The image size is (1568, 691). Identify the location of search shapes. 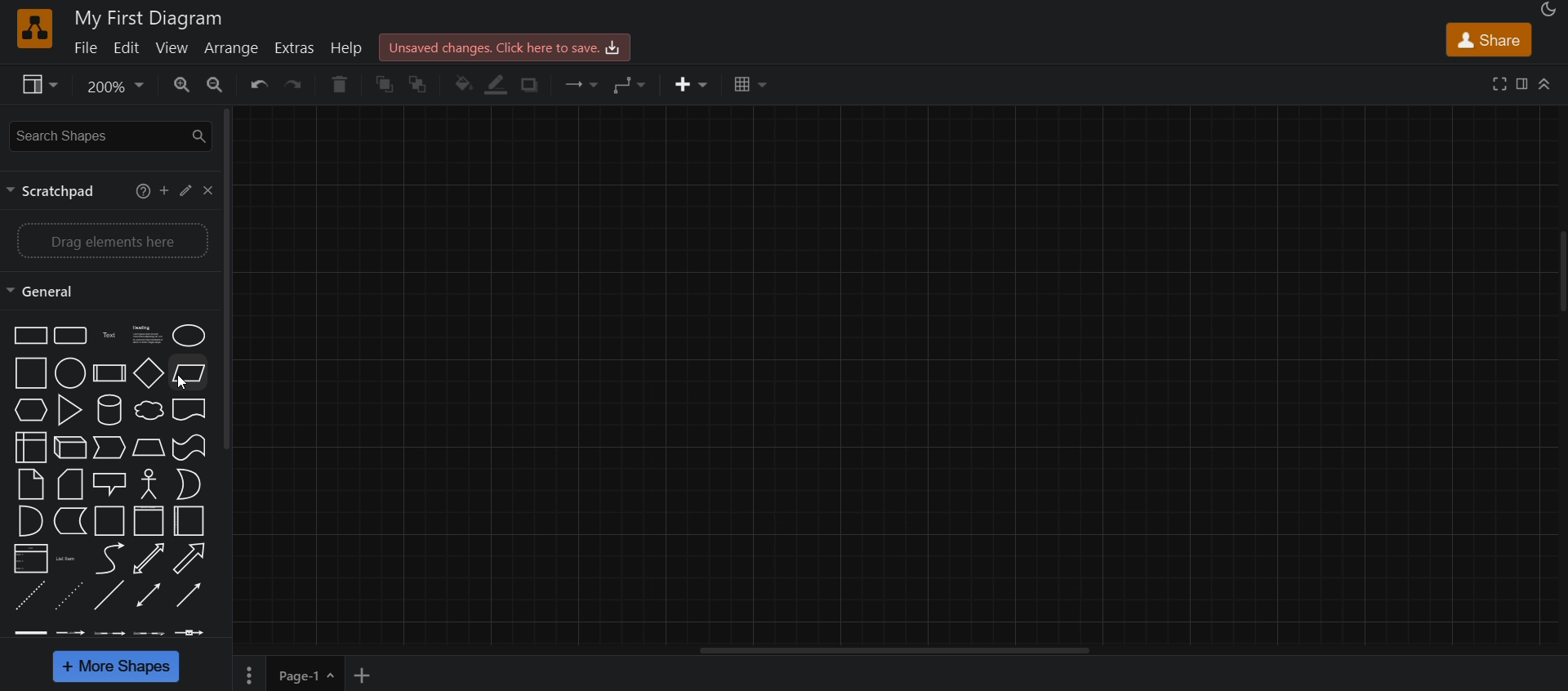
(109, 138).